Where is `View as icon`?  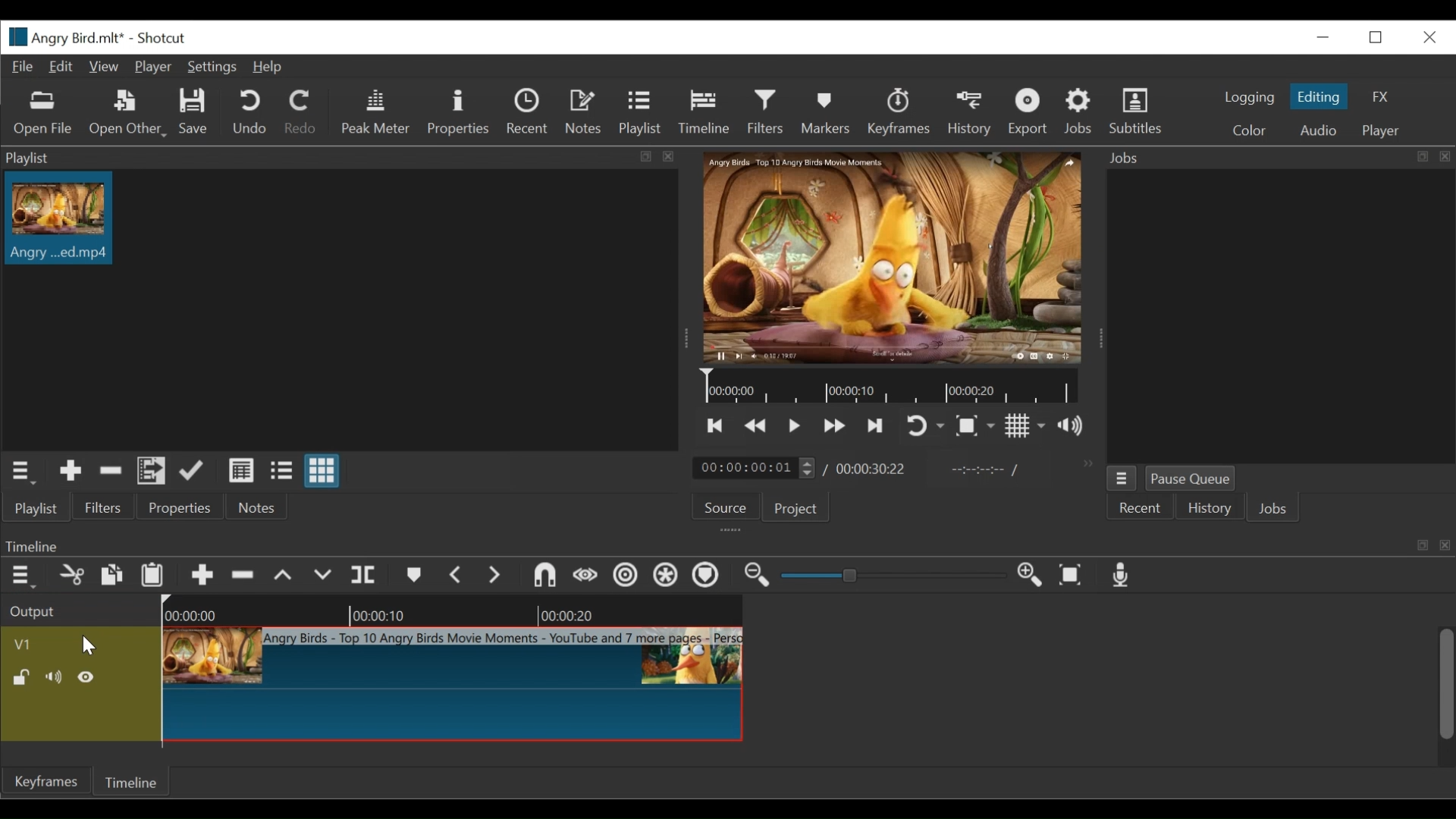
View as icon is located at coordinates (322, 471).